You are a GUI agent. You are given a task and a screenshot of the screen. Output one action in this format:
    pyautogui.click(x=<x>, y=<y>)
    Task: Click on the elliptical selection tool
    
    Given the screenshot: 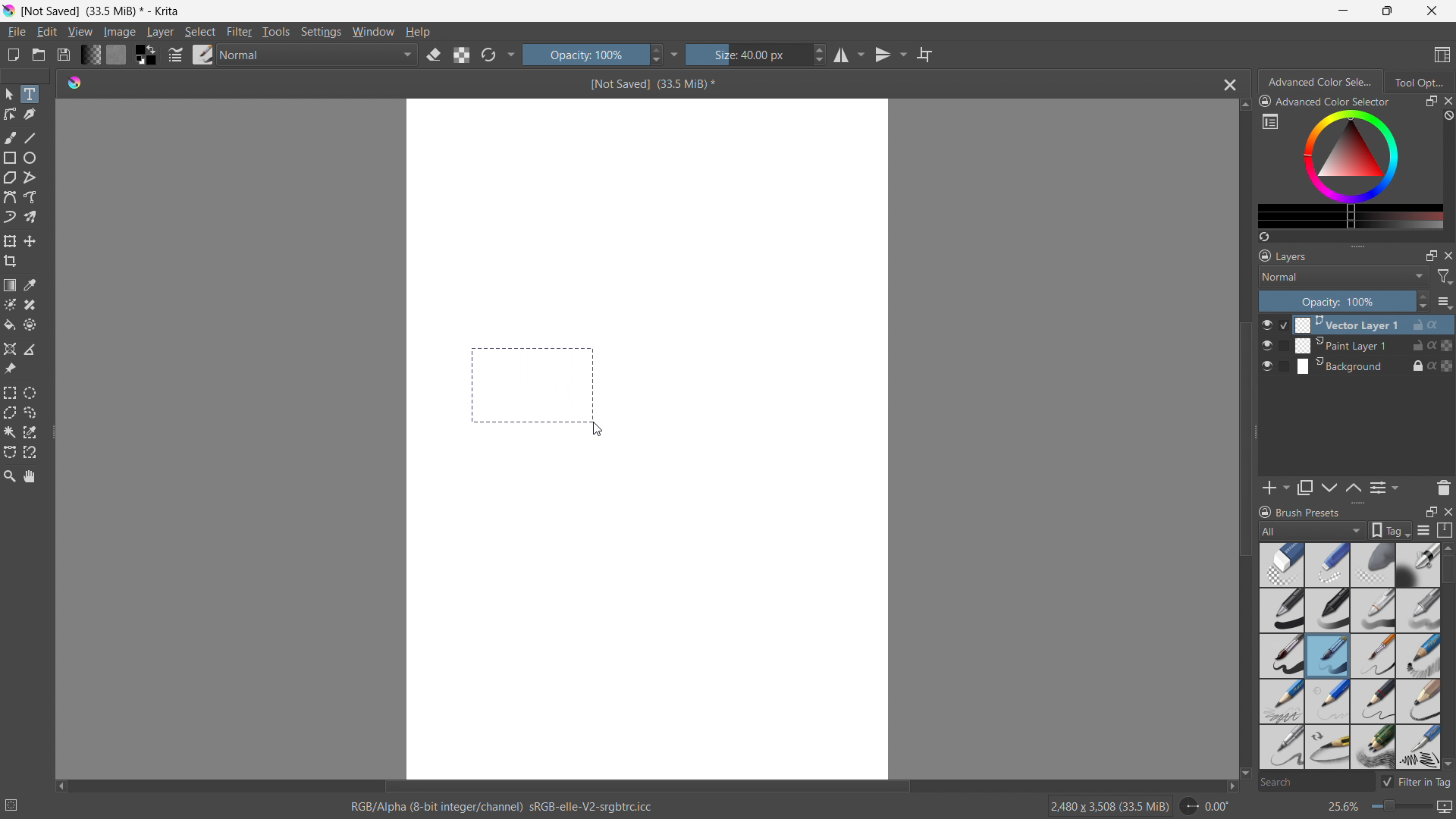 What is the action you would take?
    pyautogui.click(x=30, y=393)
    